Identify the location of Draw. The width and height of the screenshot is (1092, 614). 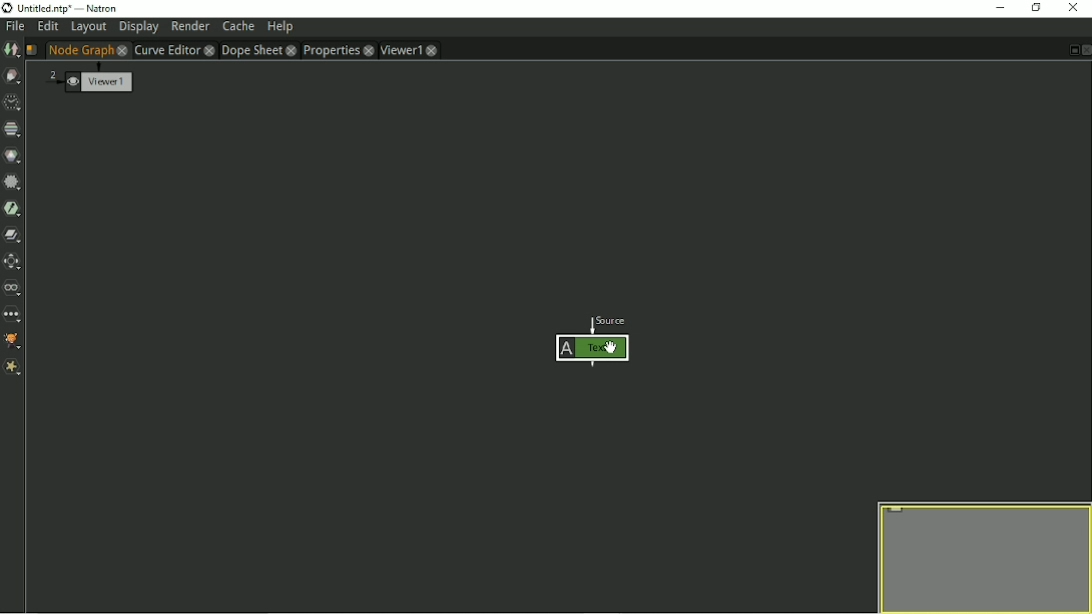
(14, 76).